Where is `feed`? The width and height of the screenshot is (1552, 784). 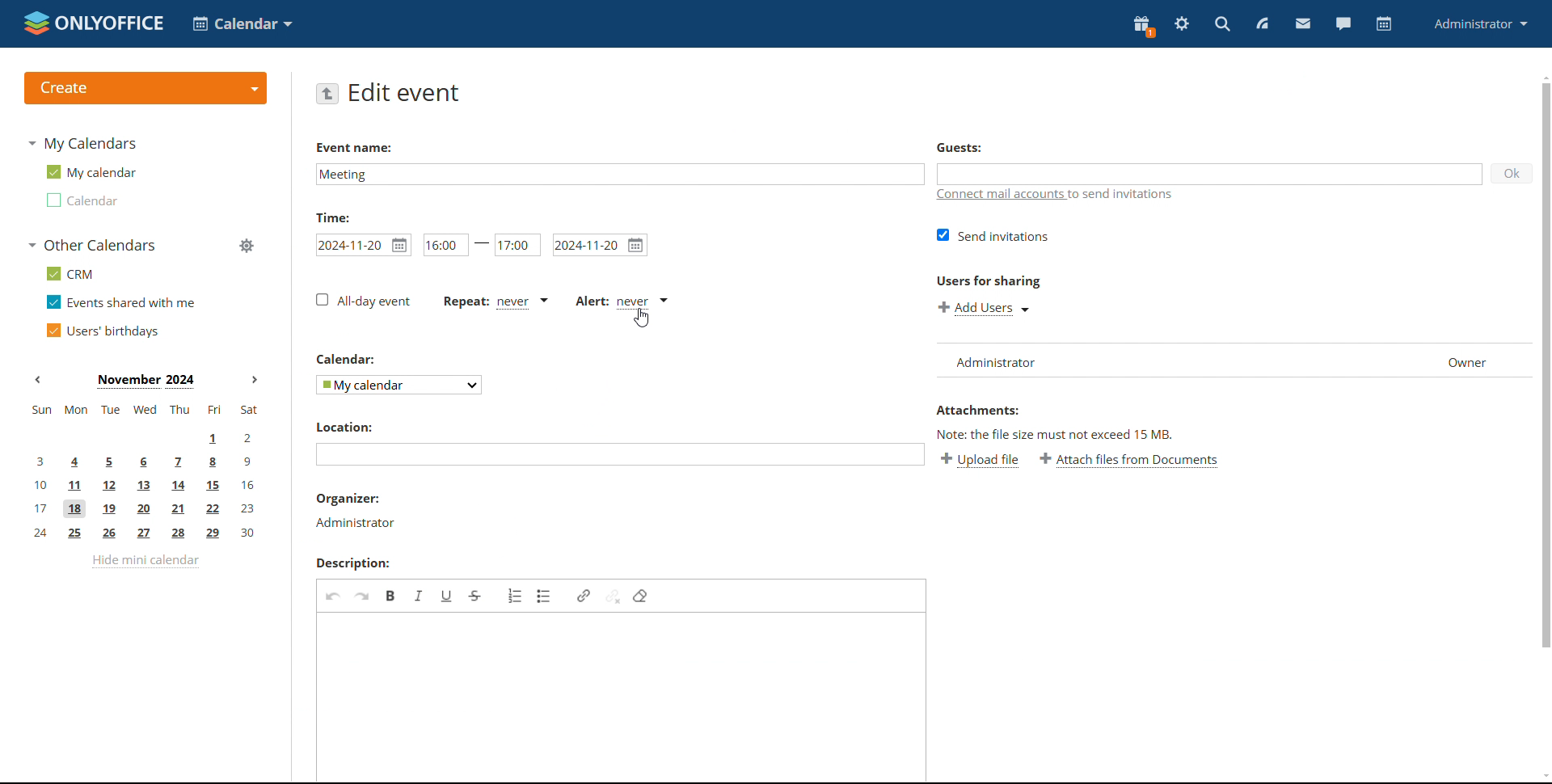 feed is located at coordinates (1265, 24).